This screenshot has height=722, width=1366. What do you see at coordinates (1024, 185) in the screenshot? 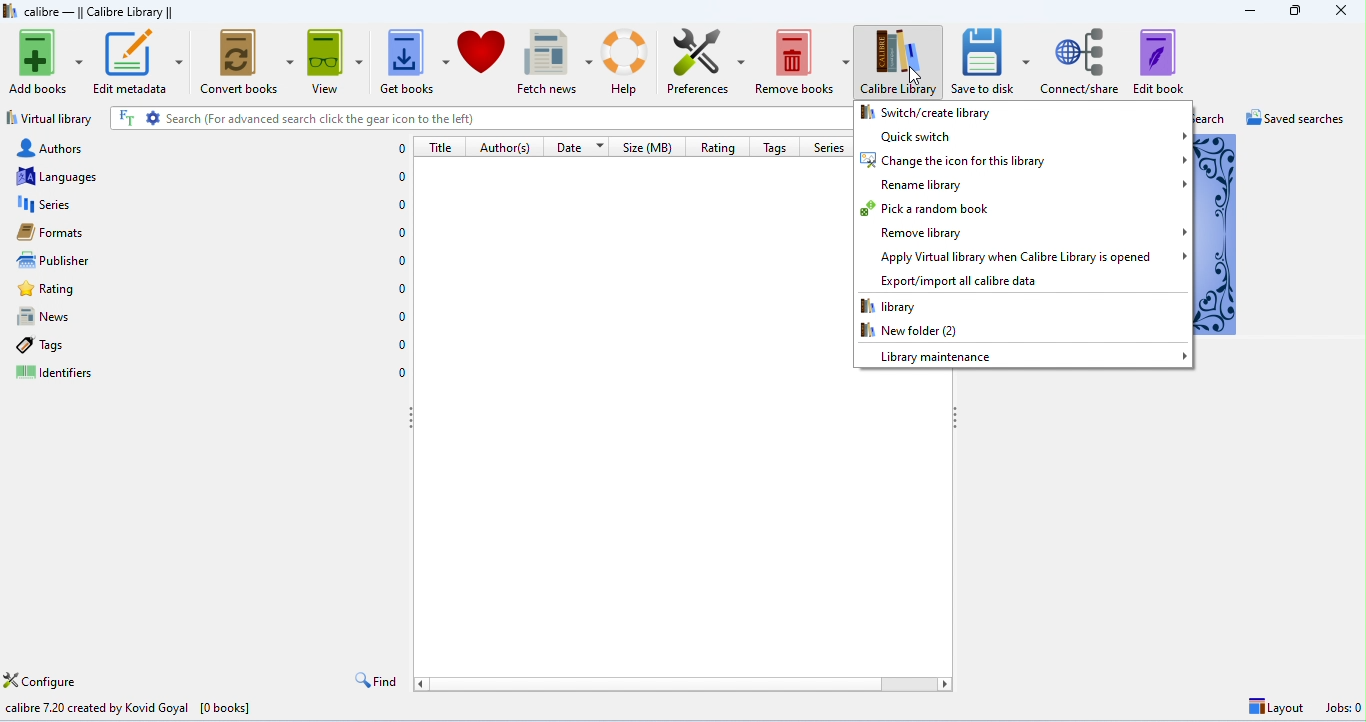
I see `rename library` at bounding box center [1024, 185].